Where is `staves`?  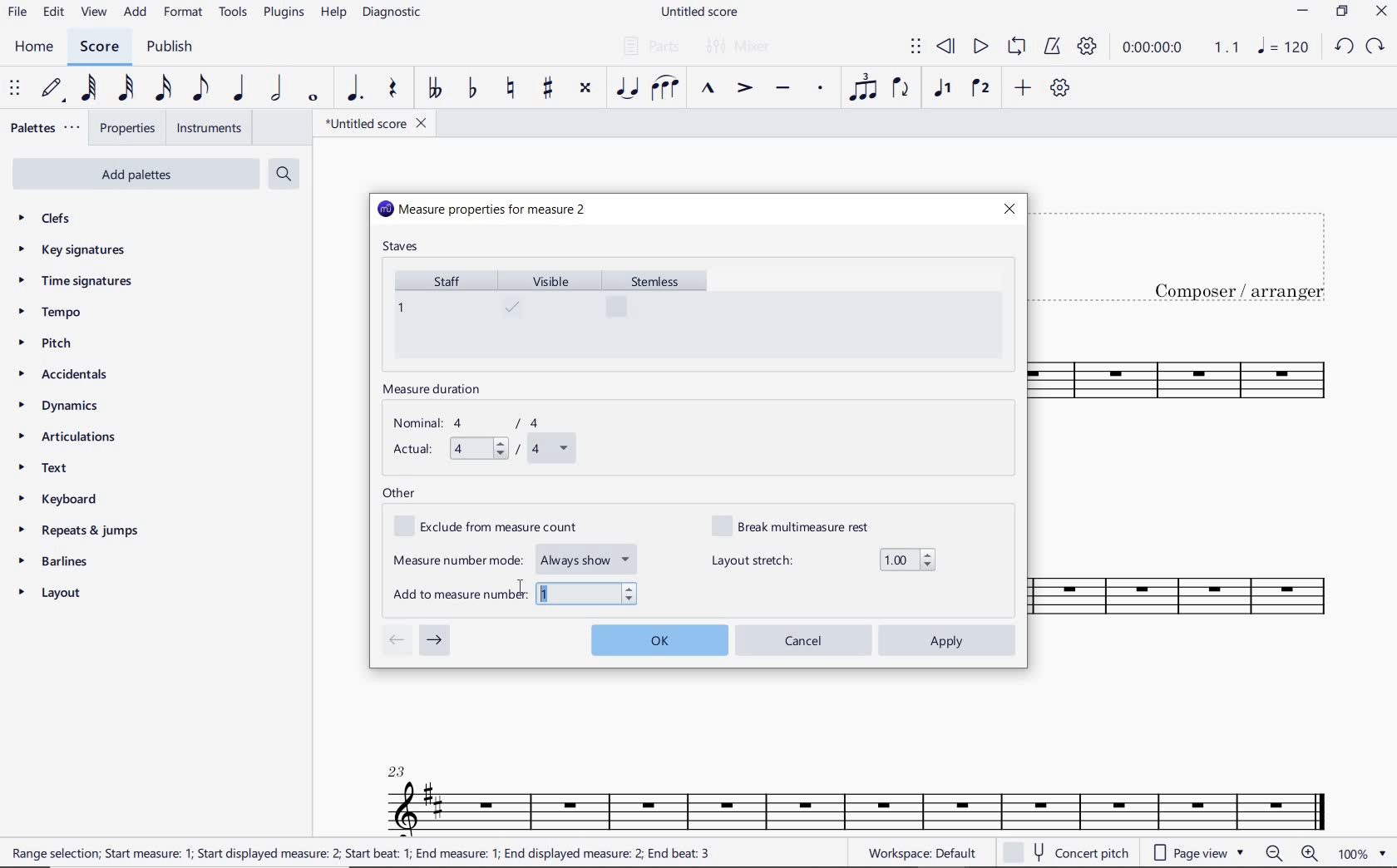
staves is located at coordinates (402, 248).